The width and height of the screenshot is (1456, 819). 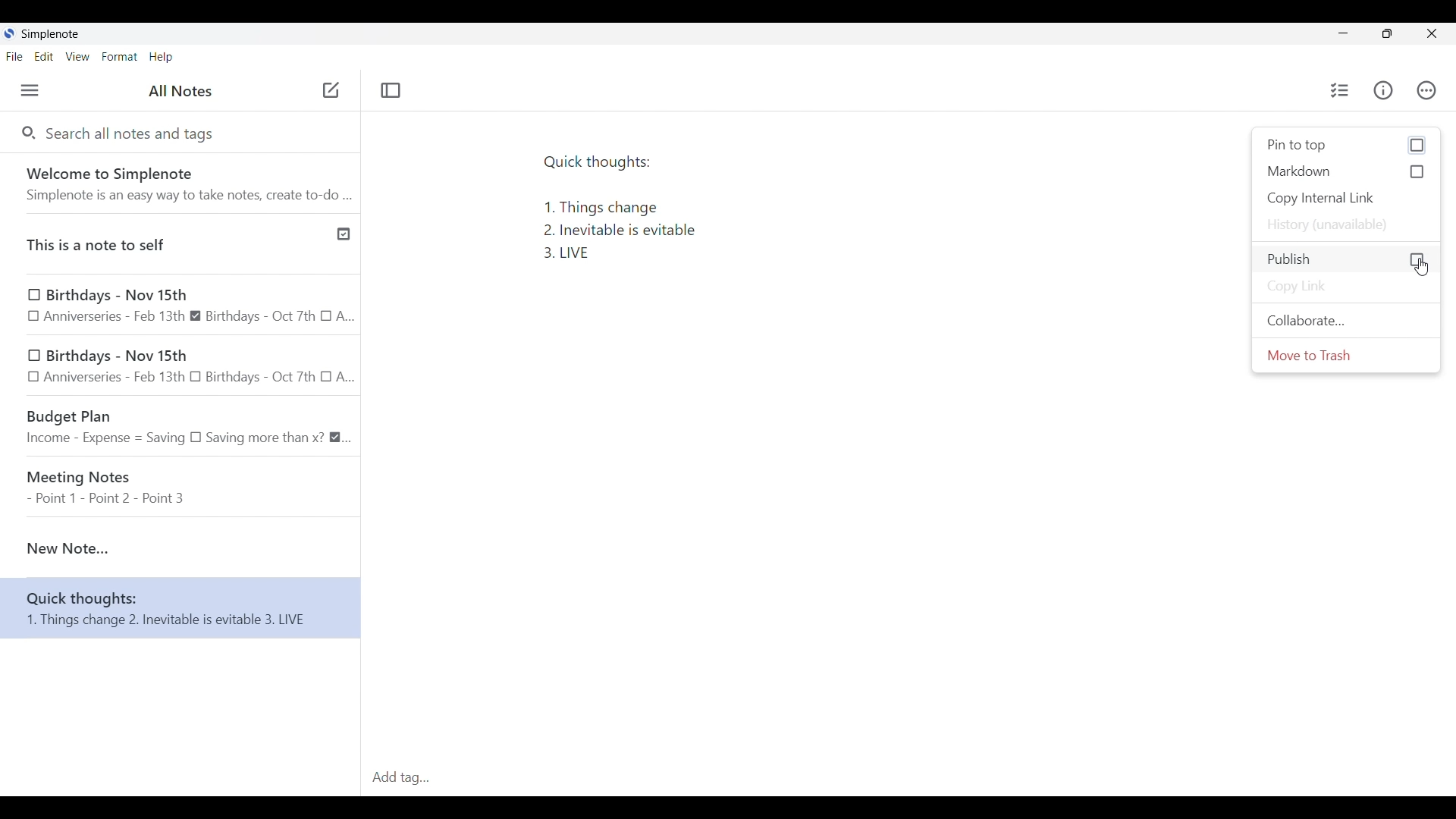 What do you see at coordinates (180, 90) in the screenshot?
I see `Title of left panel` at bounding box center [180, 90].